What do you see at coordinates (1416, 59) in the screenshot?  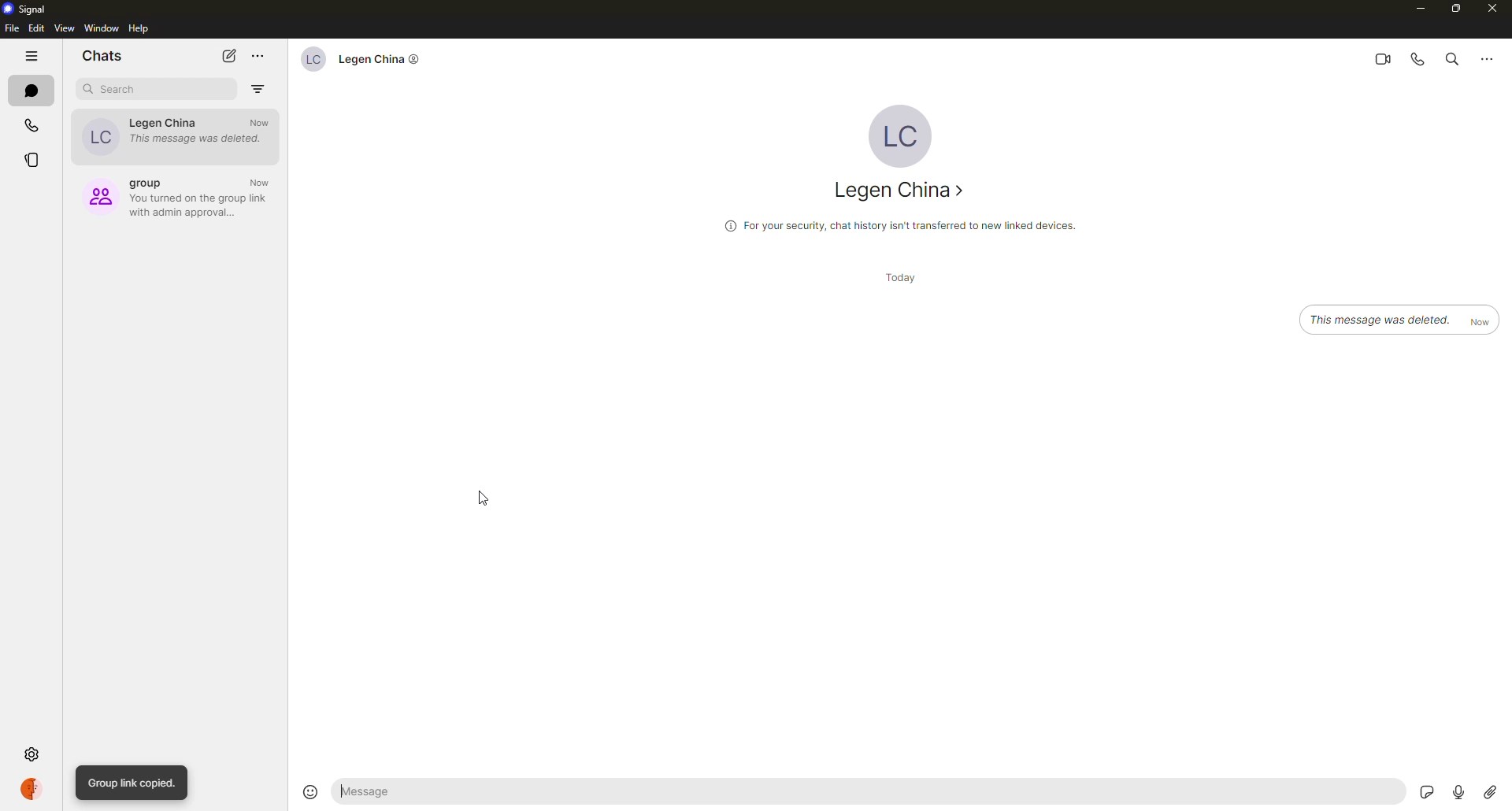 I see `voice call` at bounding box center [1416, 59].